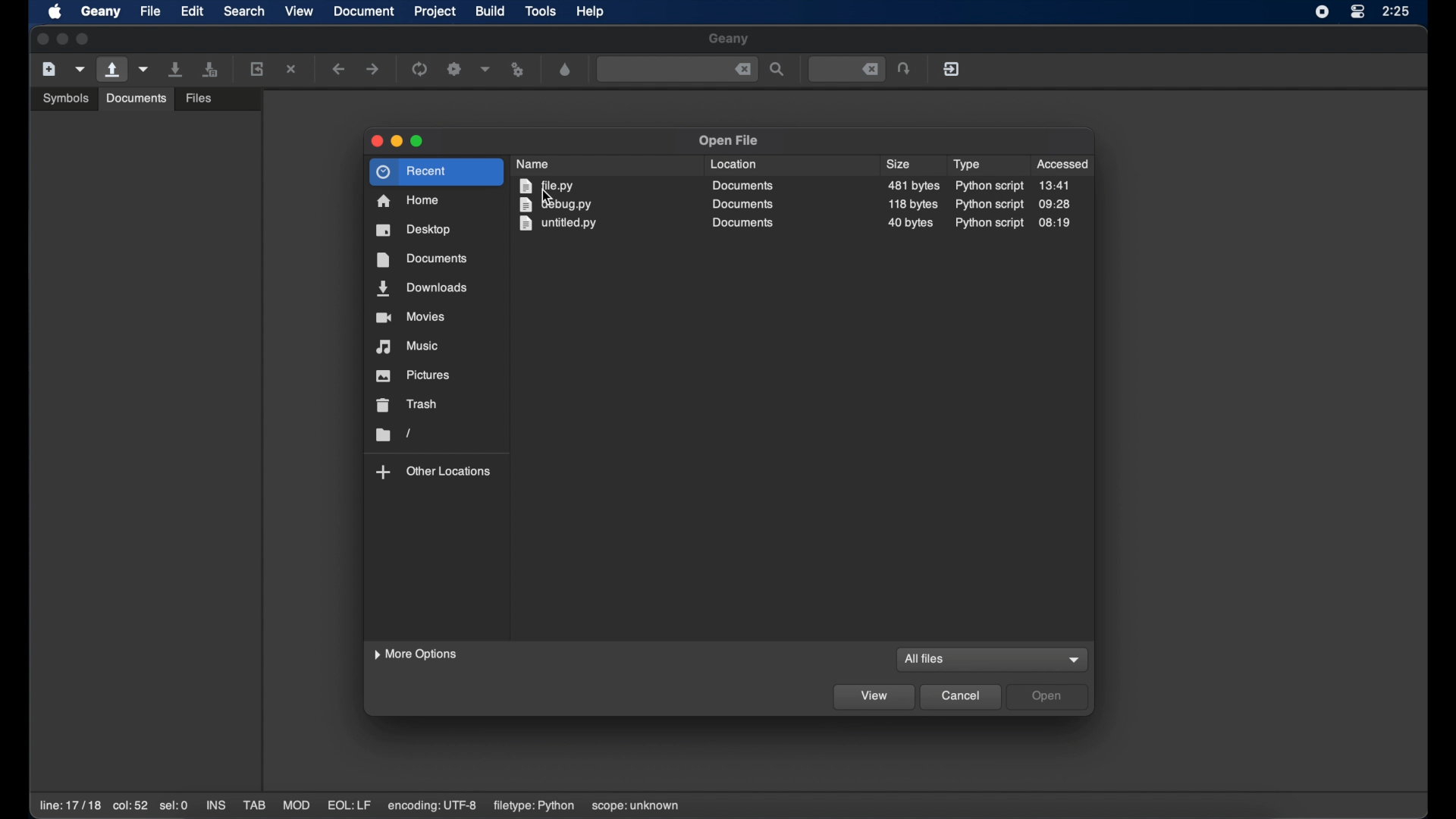 This screenshot has height=819, width=1456. What do you see at coordinates (736, 165) in the screenshot?
I see `location` at bounding box center [736, 165].